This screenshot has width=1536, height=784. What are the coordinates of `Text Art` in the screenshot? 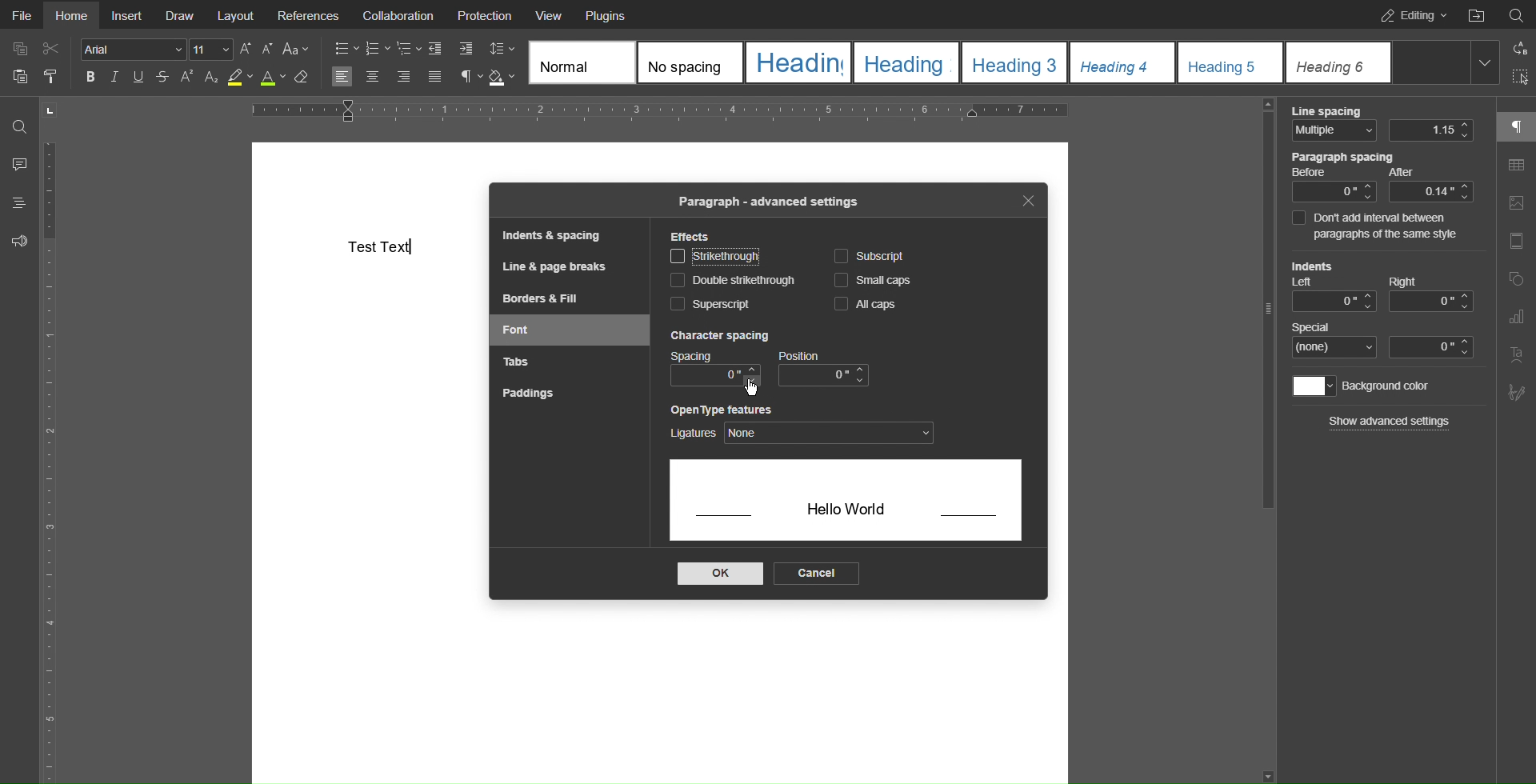 It's located at (1517, 355).